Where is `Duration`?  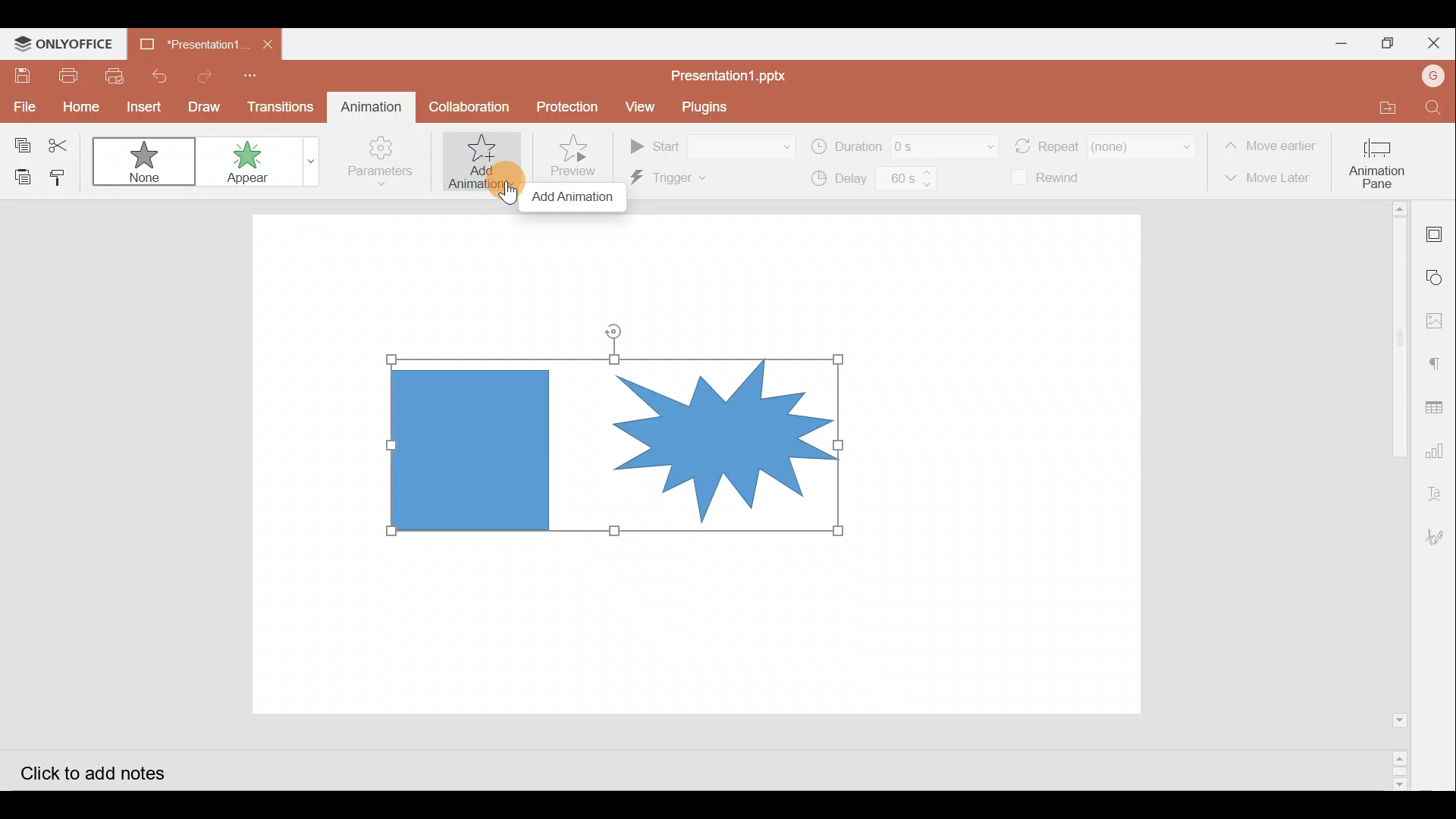 Duration is located at coordinates (902, 145).